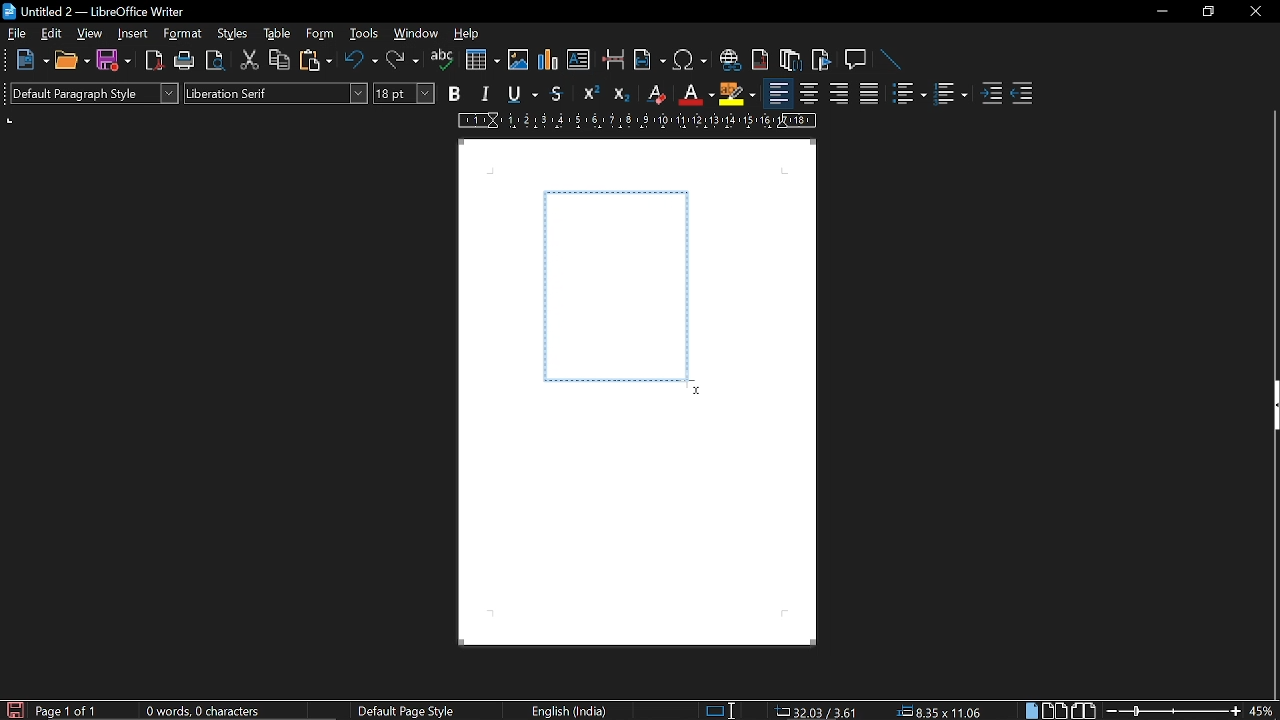 This screenshot has width=1280, height=720. I want to click on paste, so click(318, 63).